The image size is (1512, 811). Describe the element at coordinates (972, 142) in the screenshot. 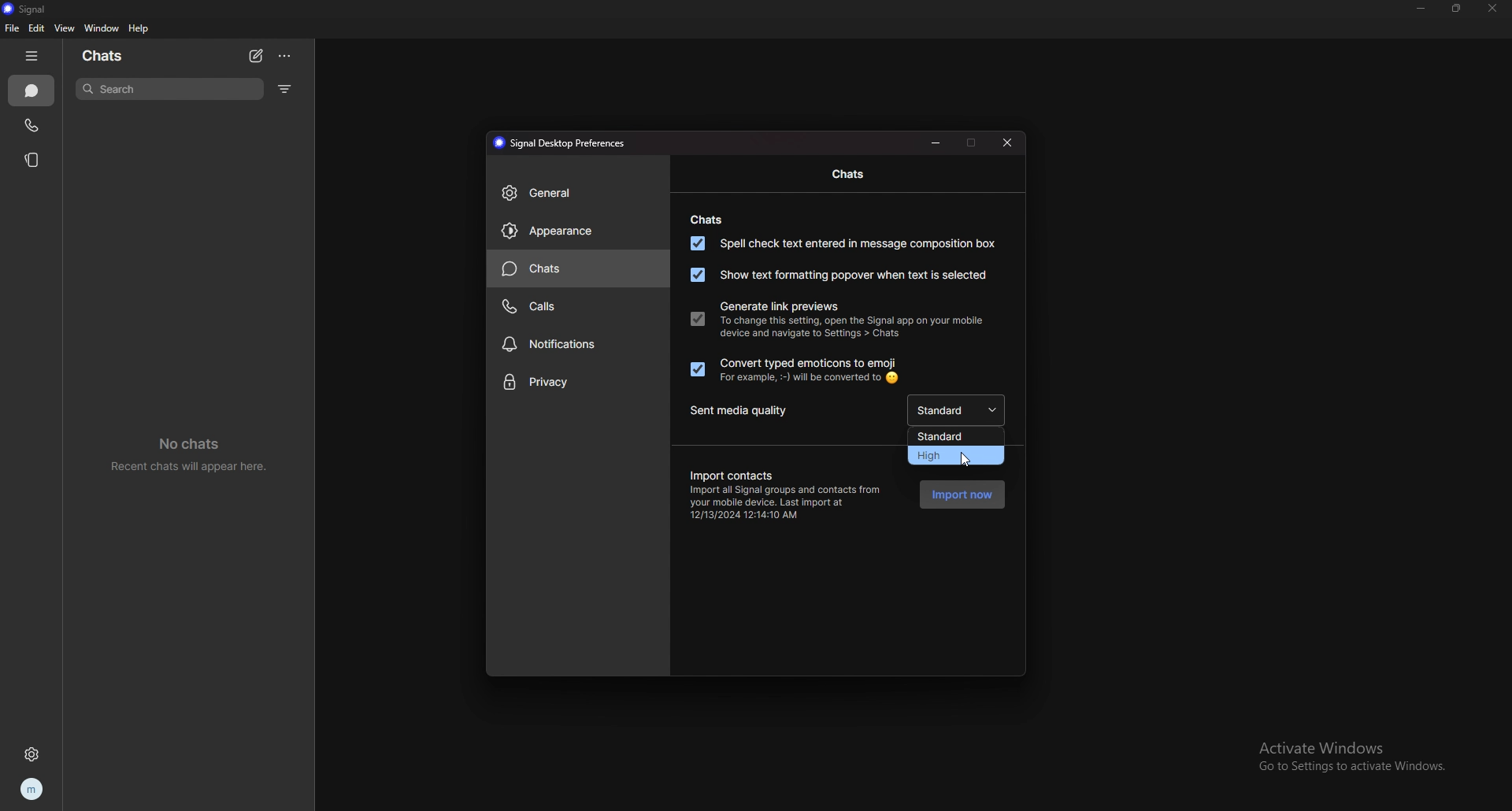

I see `maximize` at that location.